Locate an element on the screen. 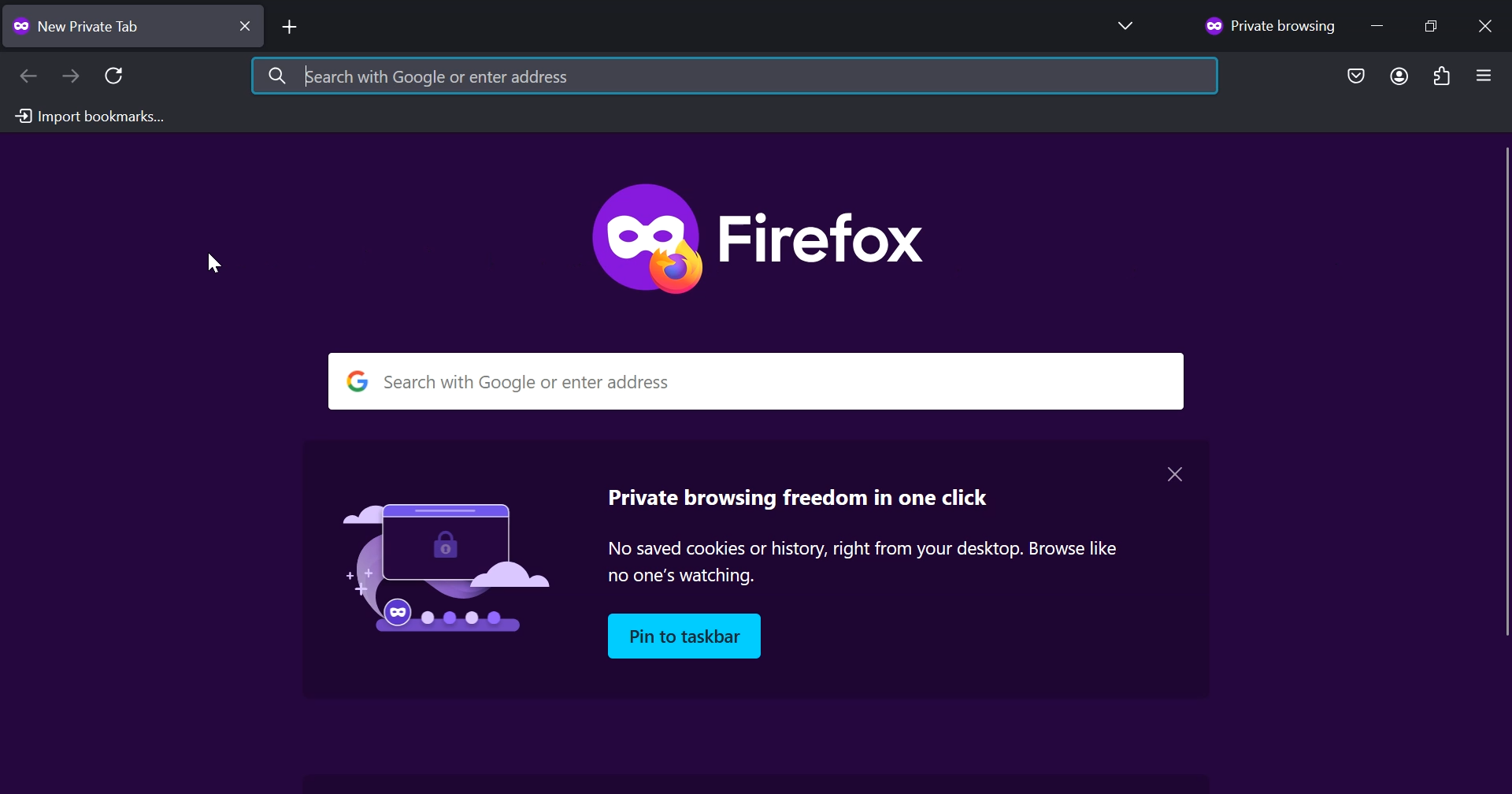  Account is located at coordinates (1399, 76).